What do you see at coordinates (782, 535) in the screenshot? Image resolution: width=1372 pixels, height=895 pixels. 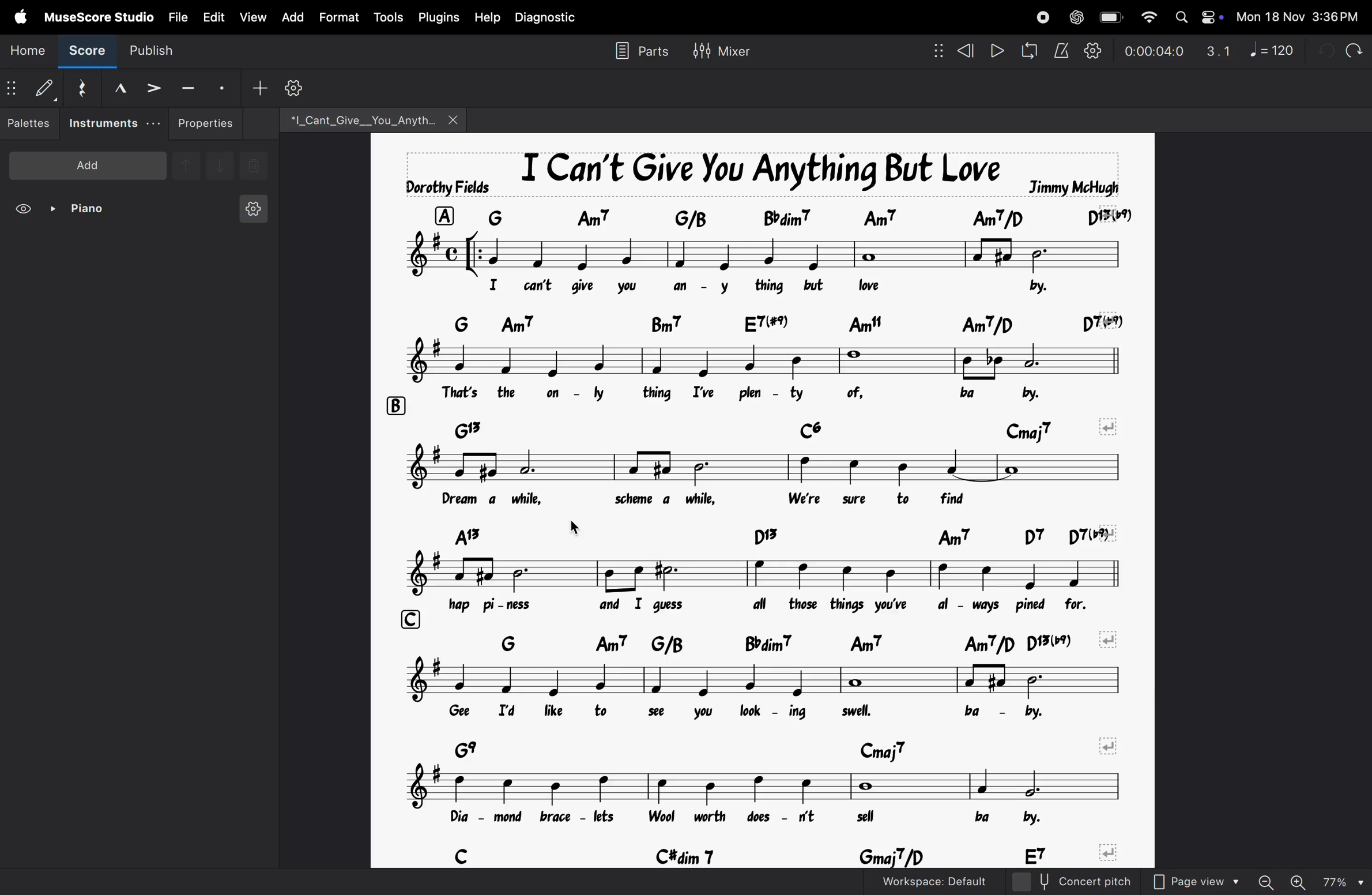 I see `chord symbols` at bounding box center [782, 535].